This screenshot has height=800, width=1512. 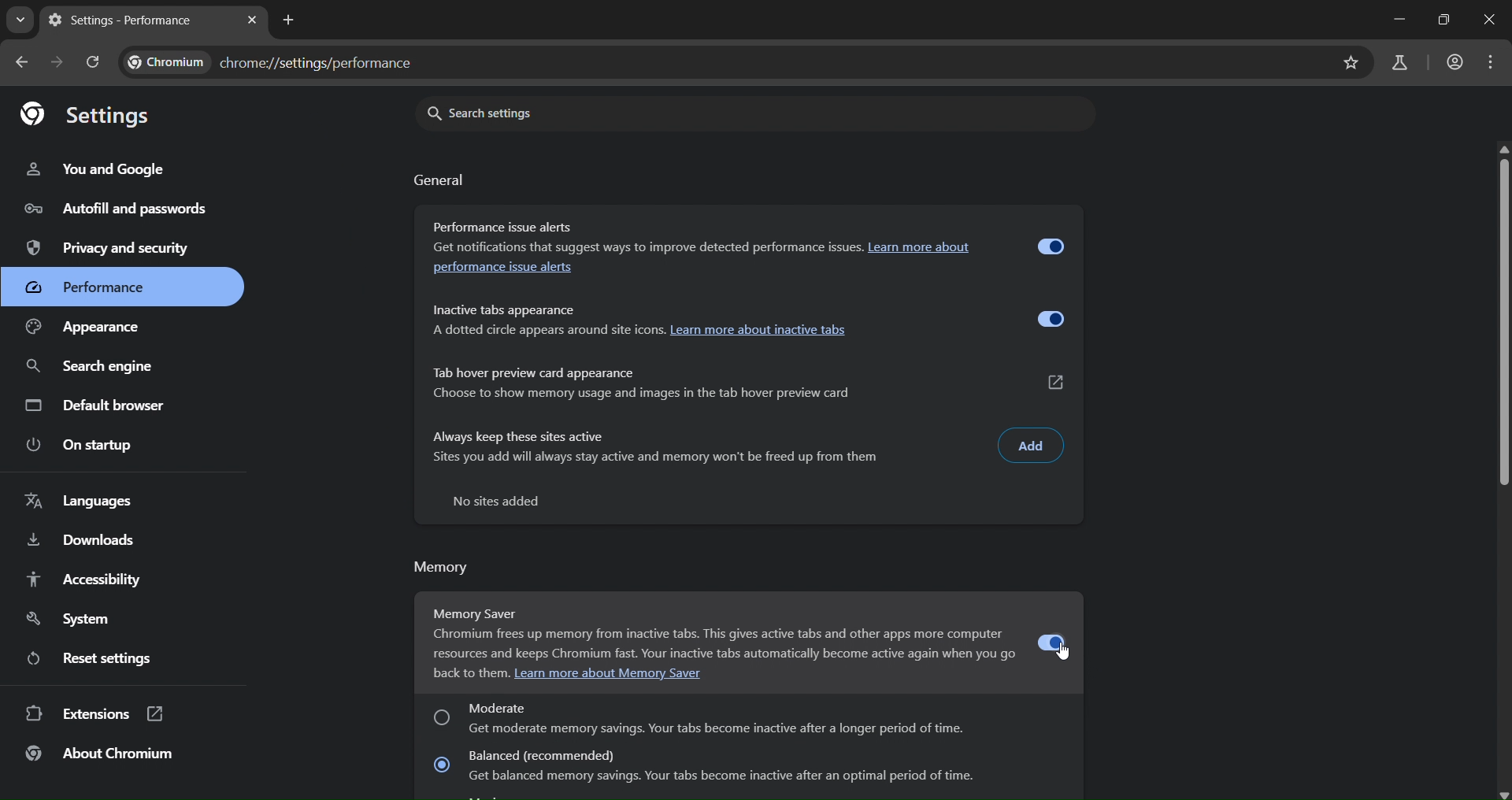 What do you see at coordinates (89, 446) in the screenshot?
I see `On Startup` at bounding box center [89, 446].